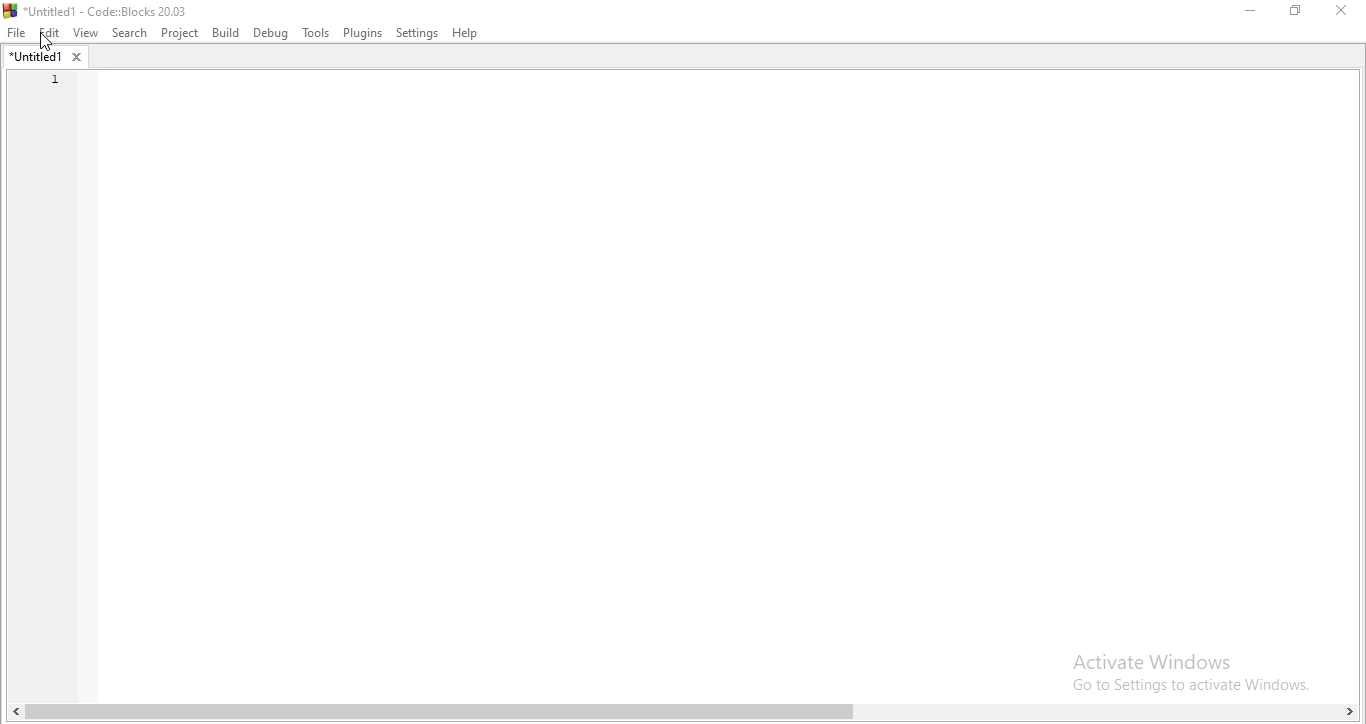  I want to click on View , so click(83, 33).